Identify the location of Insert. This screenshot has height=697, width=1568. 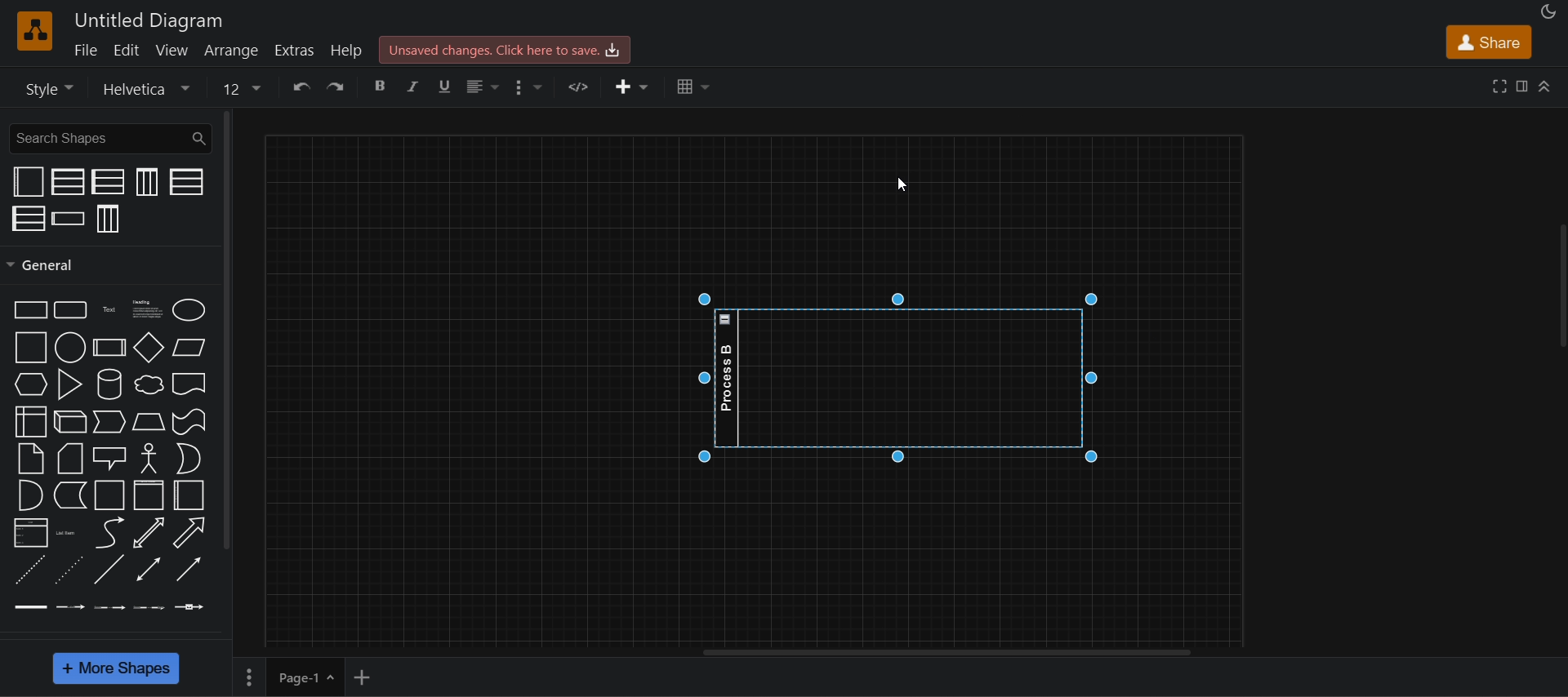
(632, 87).